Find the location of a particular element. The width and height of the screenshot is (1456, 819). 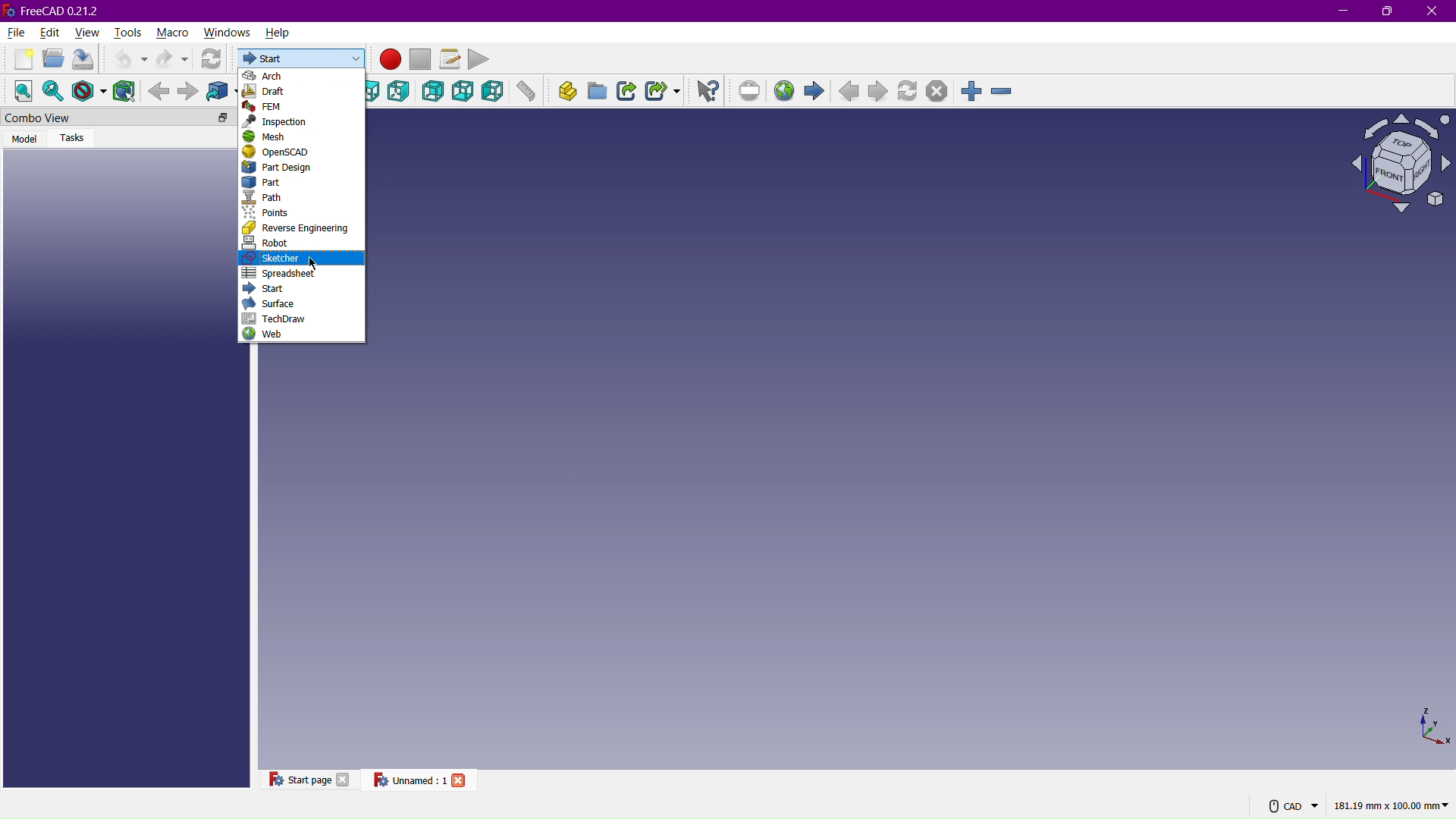

Open is located at coordinates (55, 58).